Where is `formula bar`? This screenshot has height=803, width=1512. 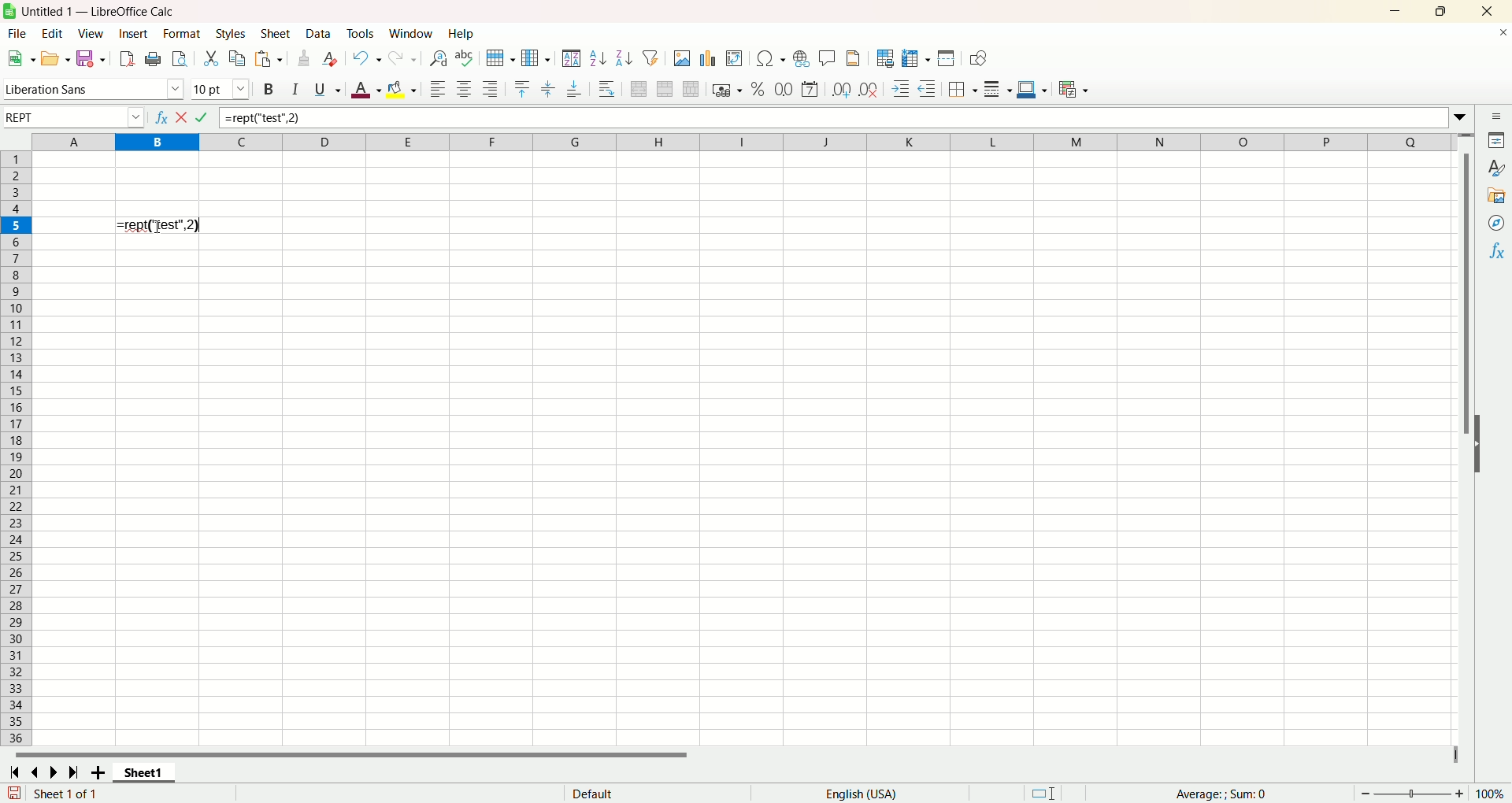 formula bar is located at coordinates (836, 117).